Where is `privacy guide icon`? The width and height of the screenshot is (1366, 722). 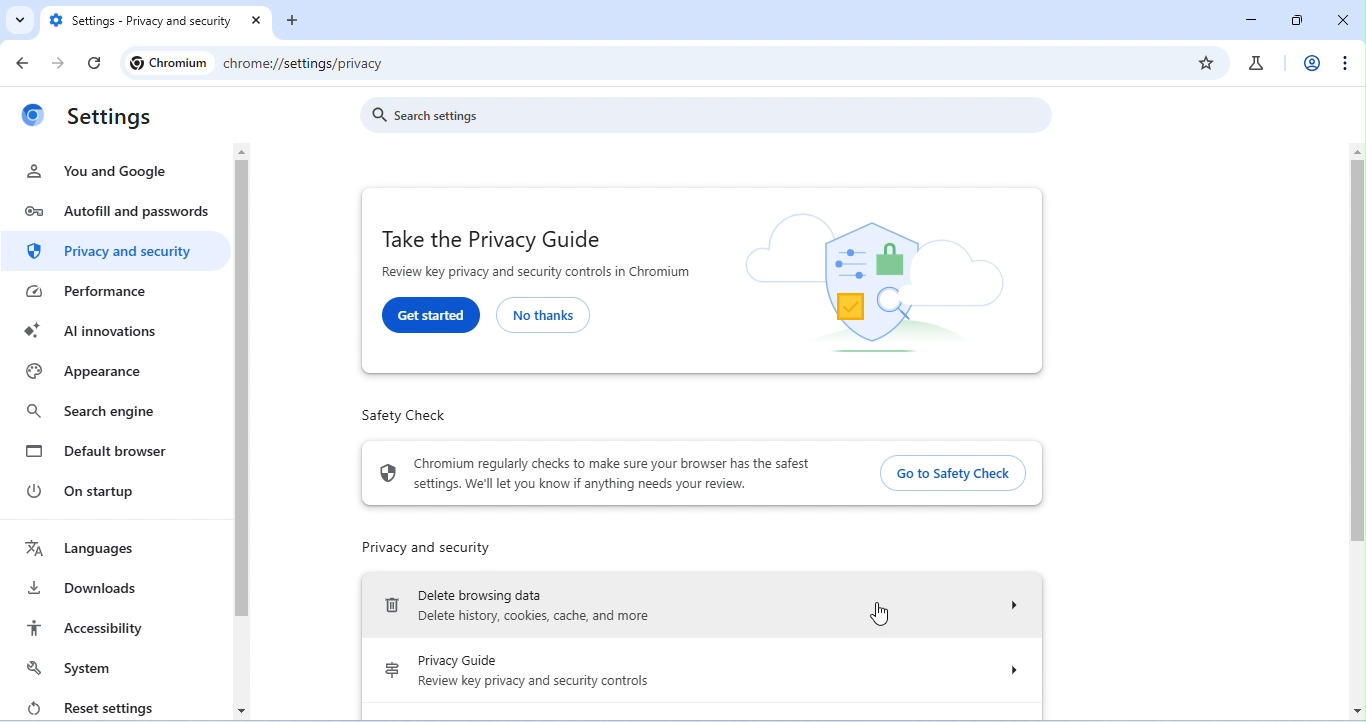 privacy guide icon is located at coordinates (390, 673).